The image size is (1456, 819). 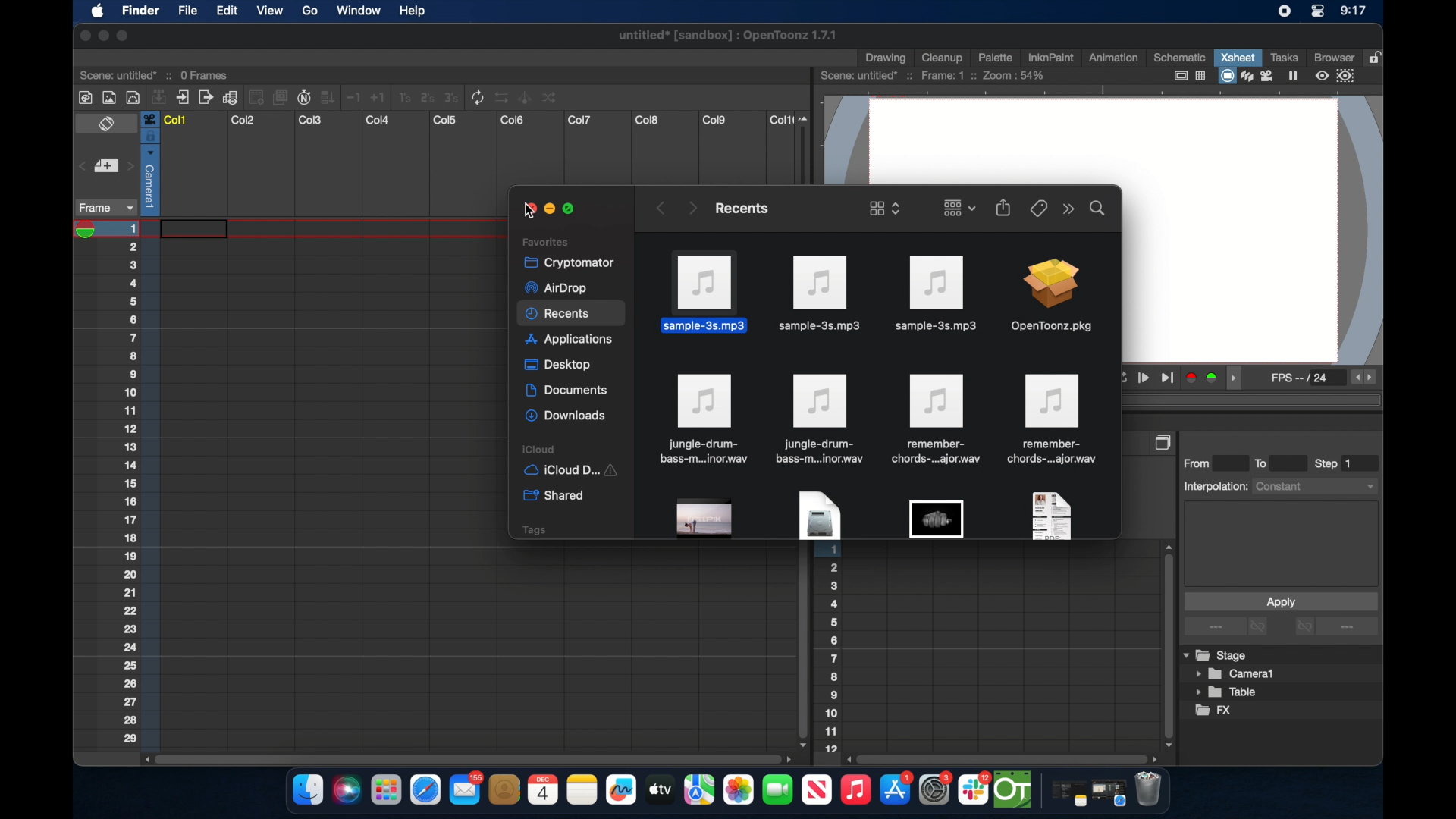 I want to click on favorites, so click(x=545, y=241).